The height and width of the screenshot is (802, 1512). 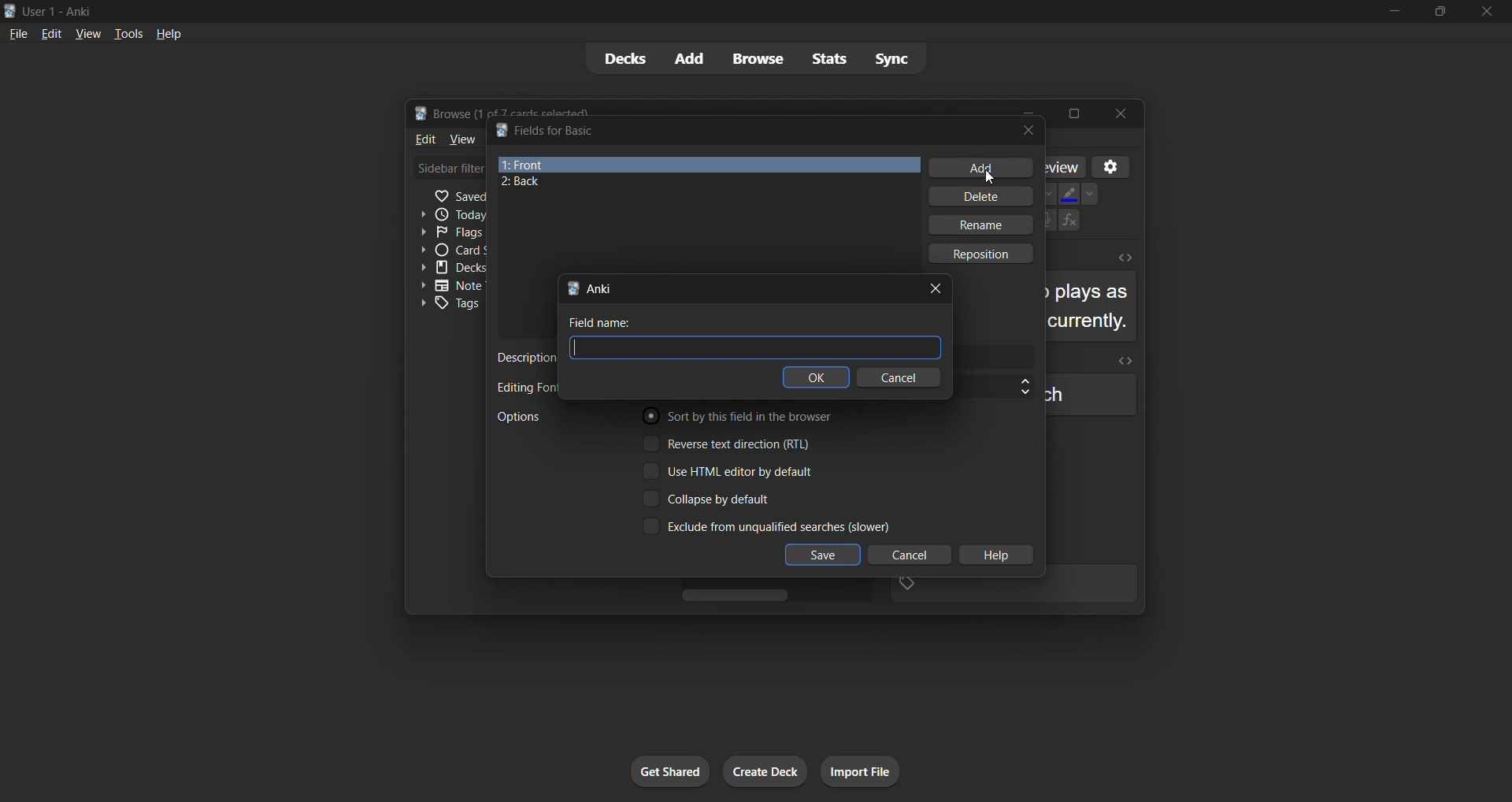 What do you see at coordinates (739, 129) in the screenshot?
I see `title bar` at bounding box center [739, 129].